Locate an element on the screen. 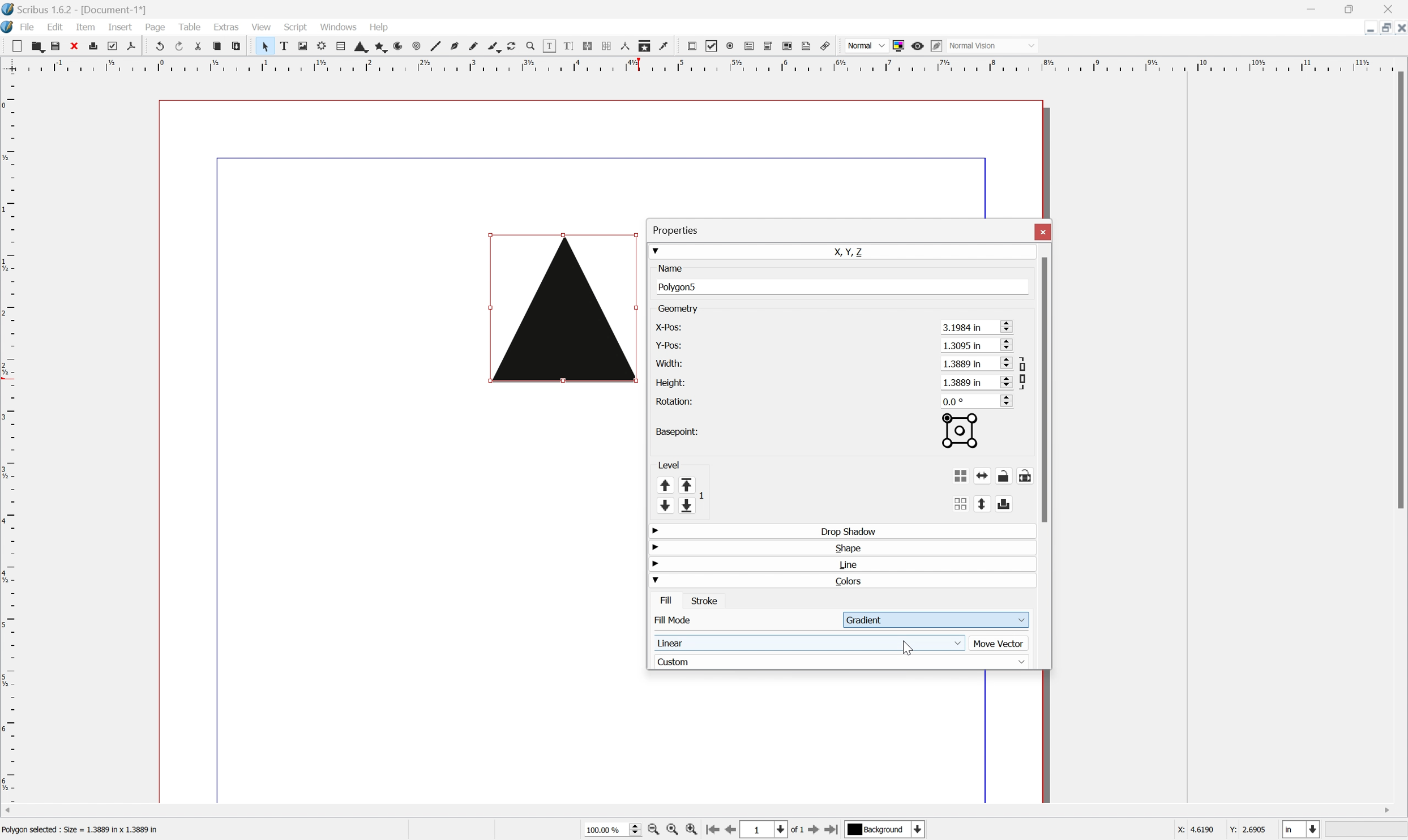  Script is located at coordinates (297, 27).